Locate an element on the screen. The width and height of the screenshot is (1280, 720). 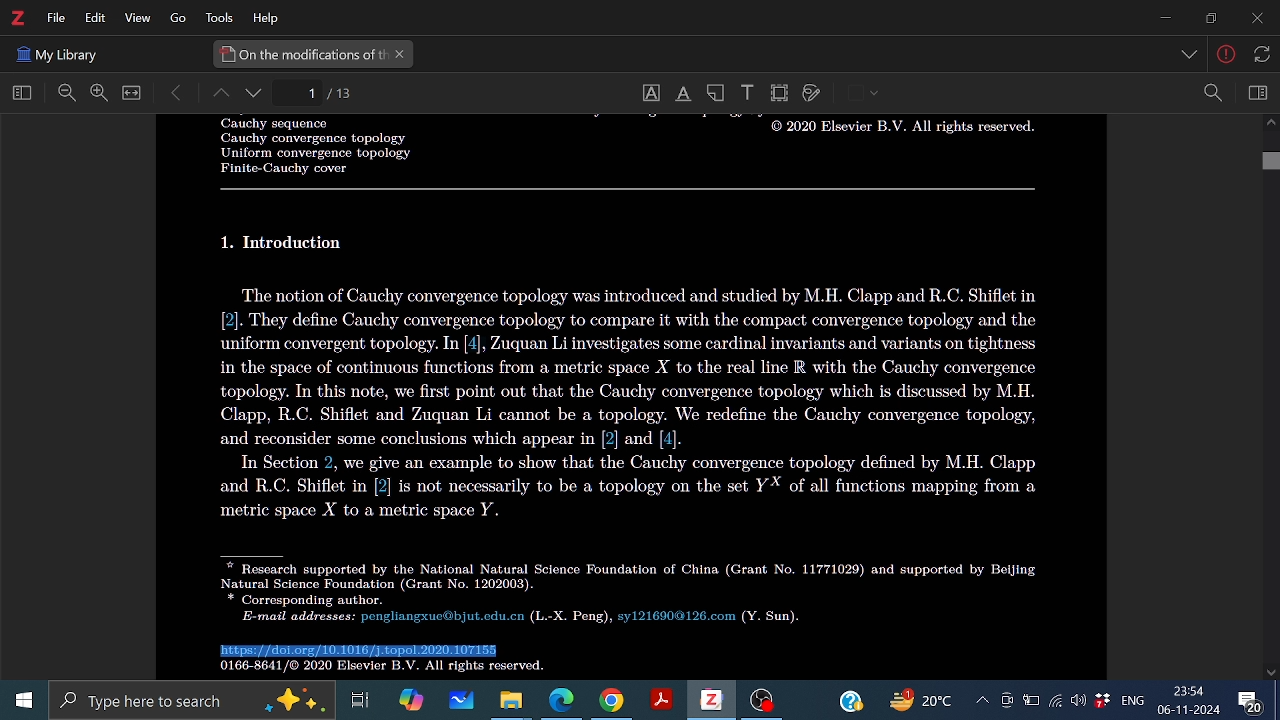
Meet is located at coordinates (1006, 701).